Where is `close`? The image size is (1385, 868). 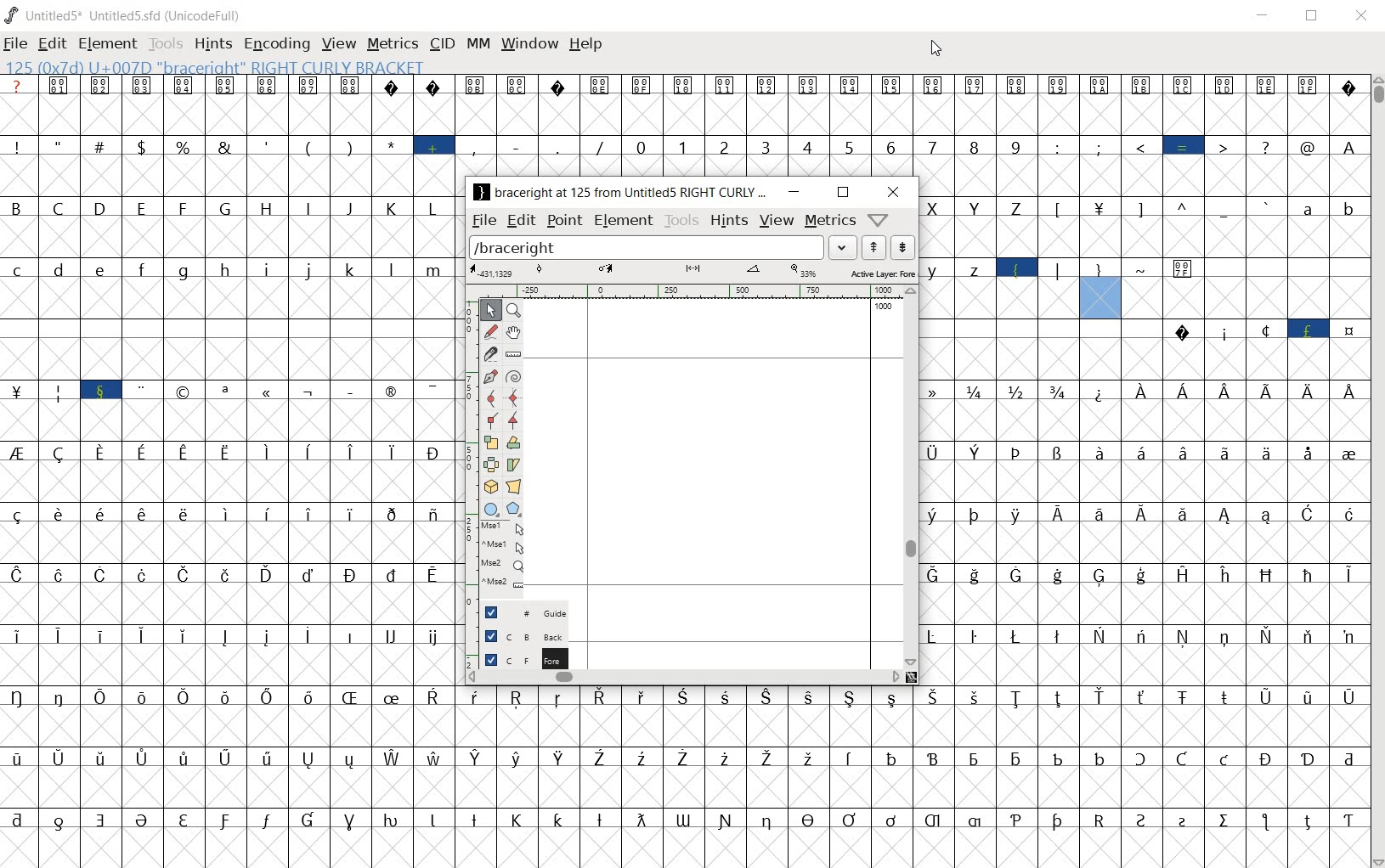
close is located at coordinates (894, 192).